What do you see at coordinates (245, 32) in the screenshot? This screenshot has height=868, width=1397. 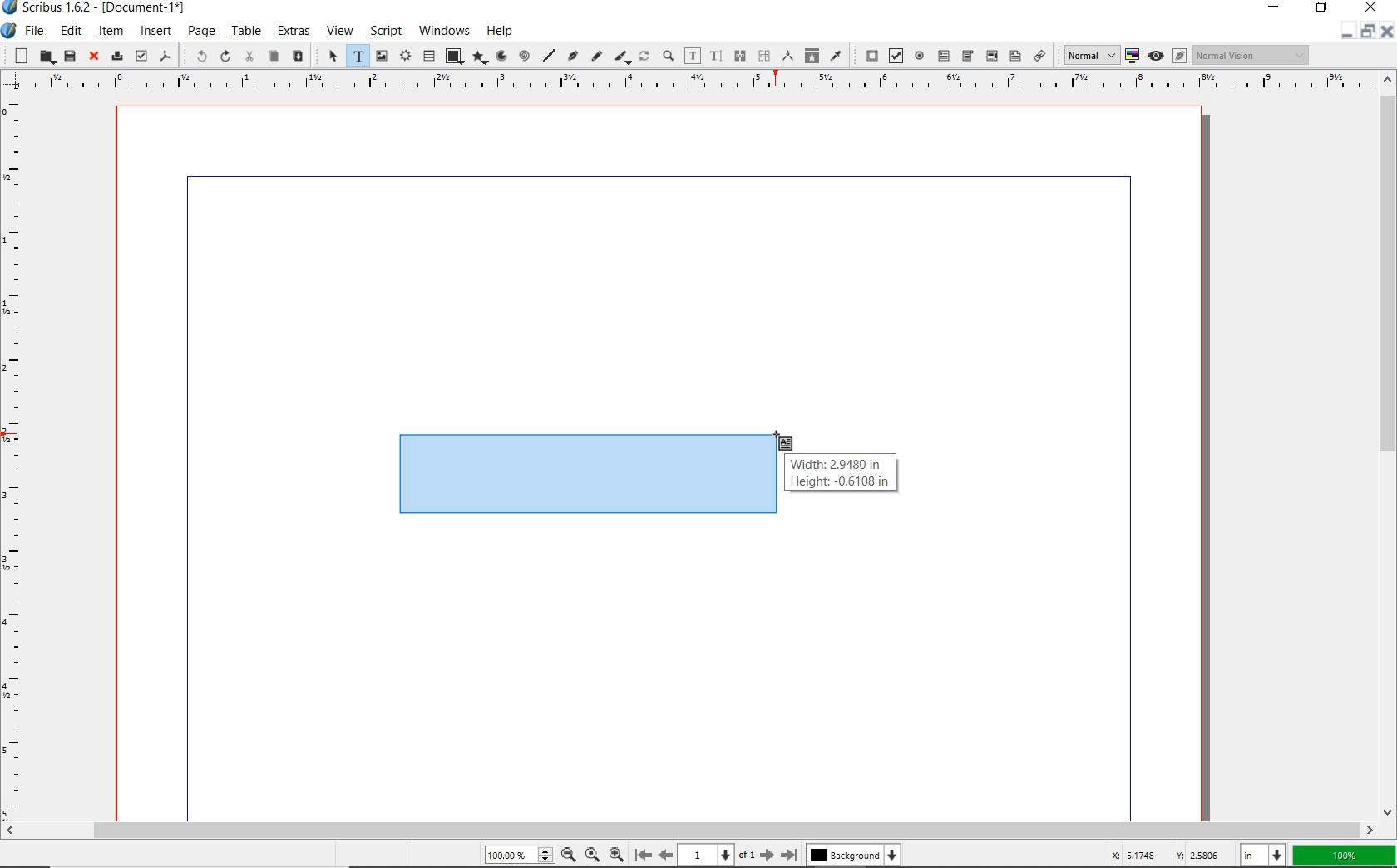 I see `table` at bounding box center [245, 32].